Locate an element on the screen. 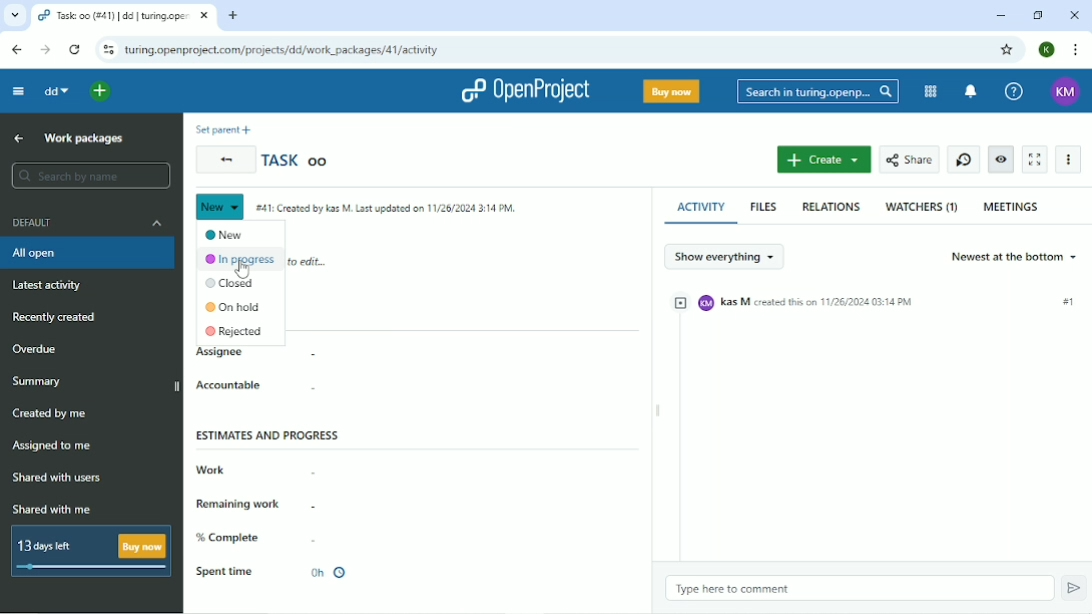  To notification center is located at coordinates (970, 91).